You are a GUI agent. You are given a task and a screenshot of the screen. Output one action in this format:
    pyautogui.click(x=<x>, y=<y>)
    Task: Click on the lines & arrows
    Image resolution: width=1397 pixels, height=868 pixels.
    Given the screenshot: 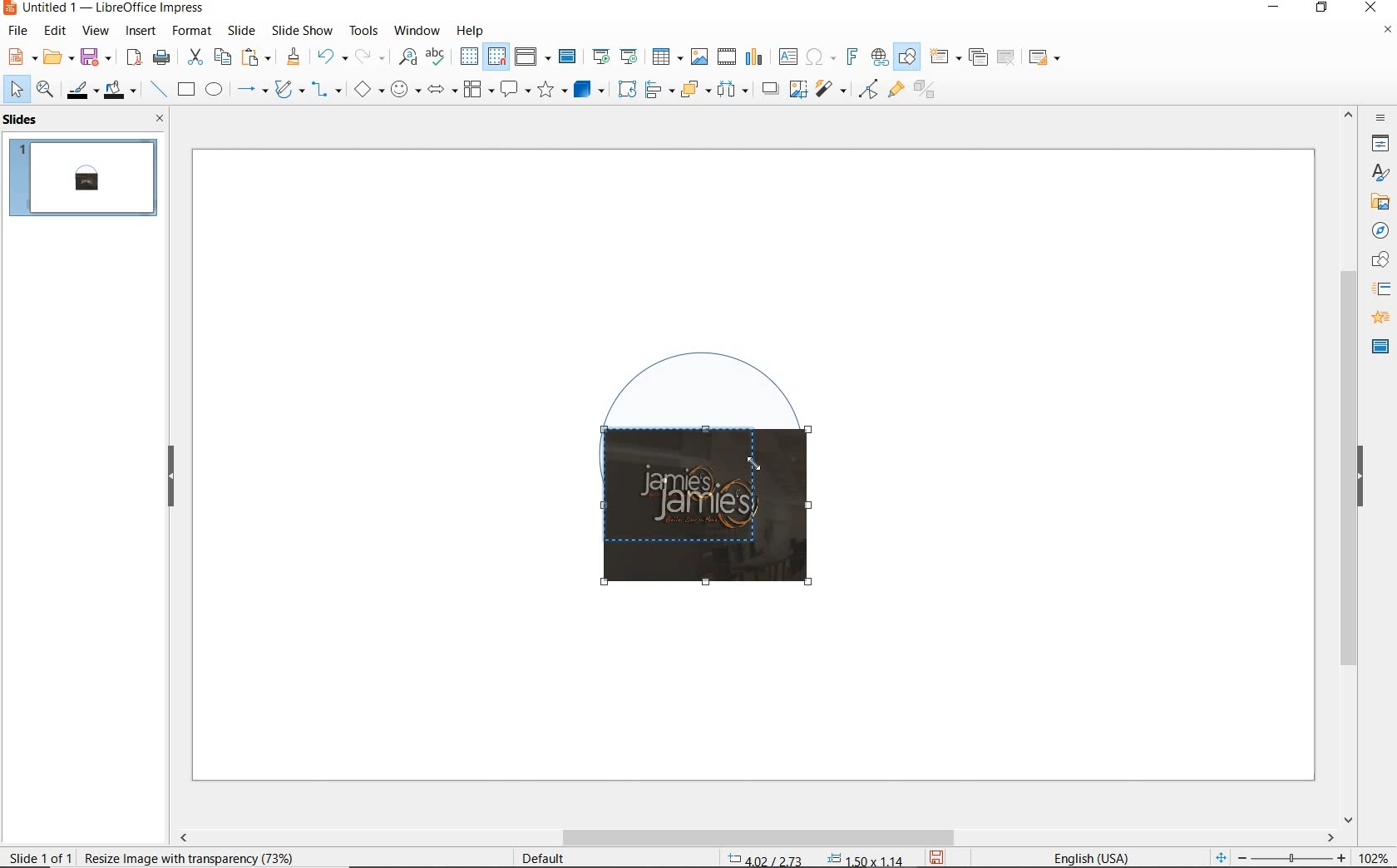 What is the action you would take?
    pyautogui.click(x=251, y=91)
    